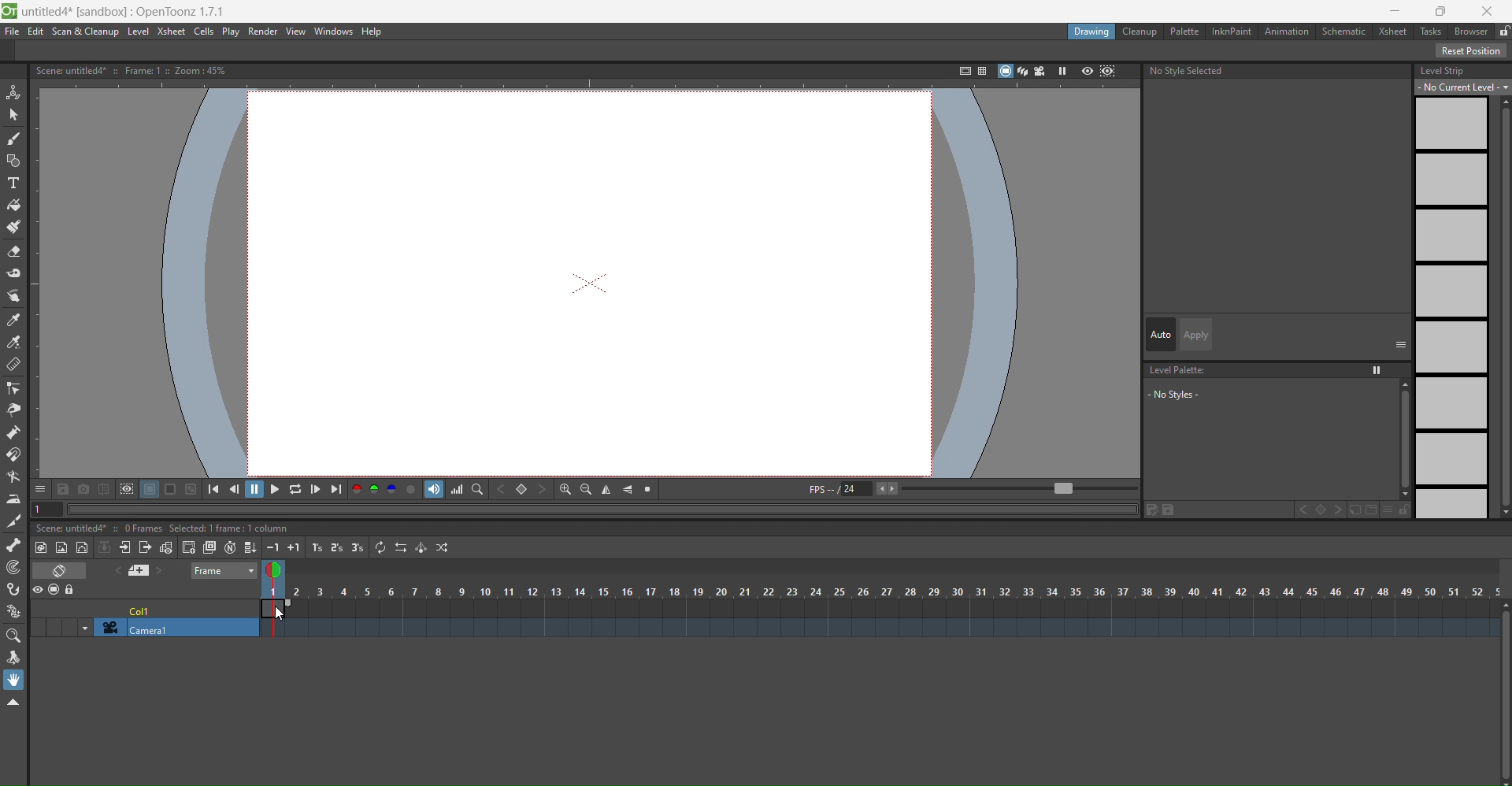  What do you see at coordinates (1191, 394) in the screenshot?
I see `no styles` at bounding box center [1191, 394].